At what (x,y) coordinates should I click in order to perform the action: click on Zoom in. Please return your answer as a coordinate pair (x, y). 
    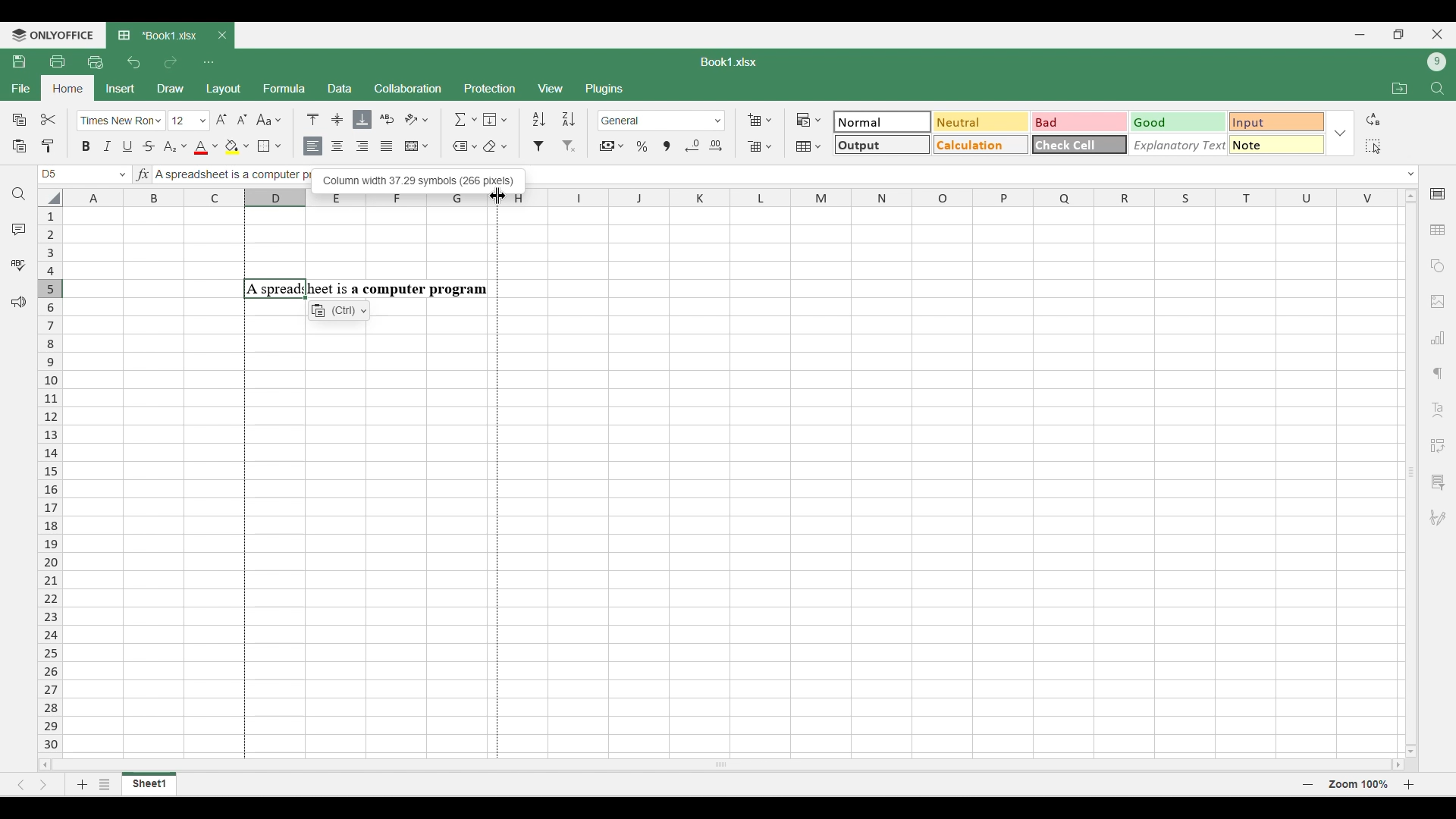
    Looking at the image, I should click on (1409, 784).